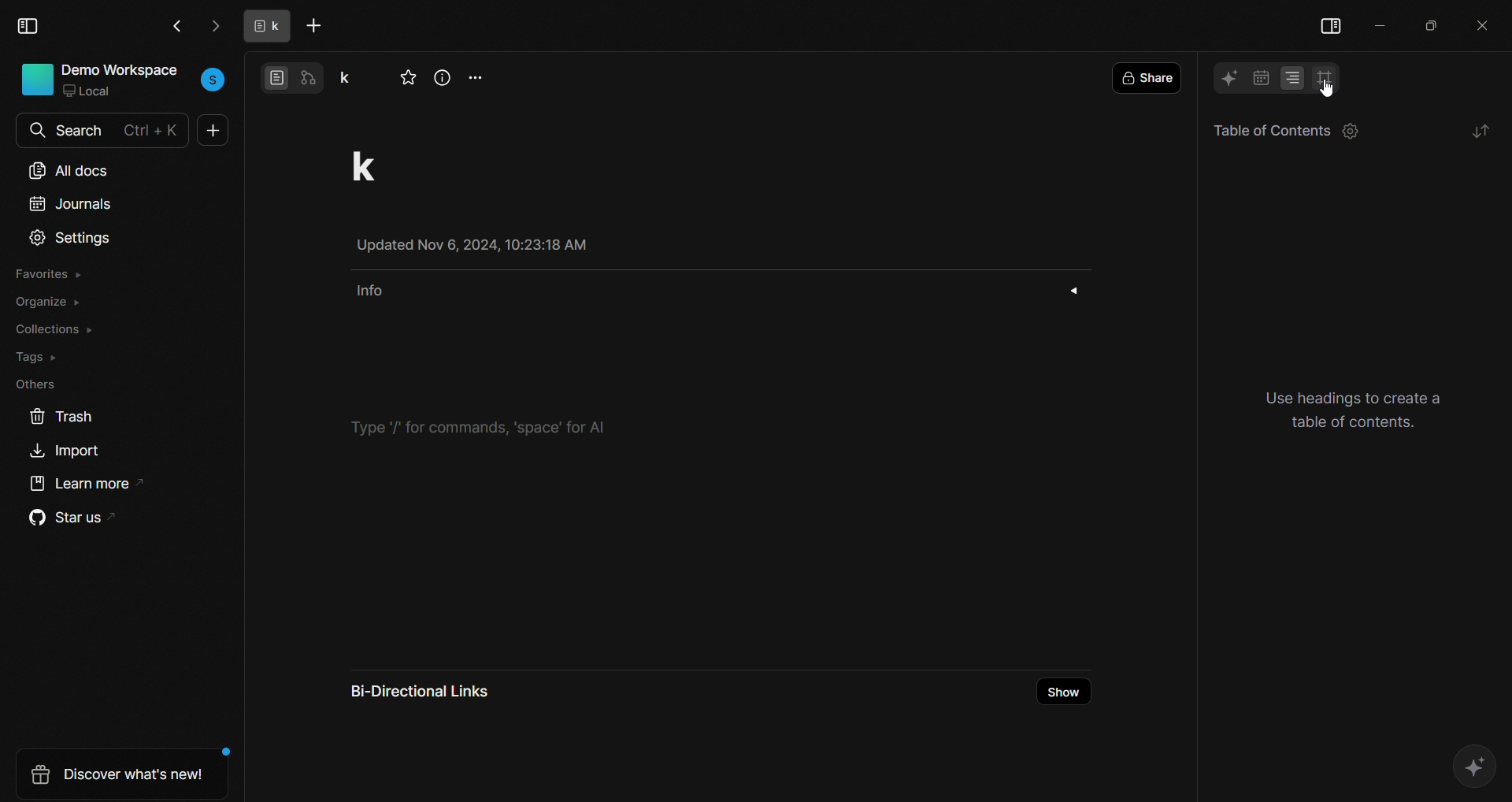 The height and width of the screenshot is (802, 1512). Describe the element at coordinates (1469, 766) in the screenshot. I see `AI` at that location.